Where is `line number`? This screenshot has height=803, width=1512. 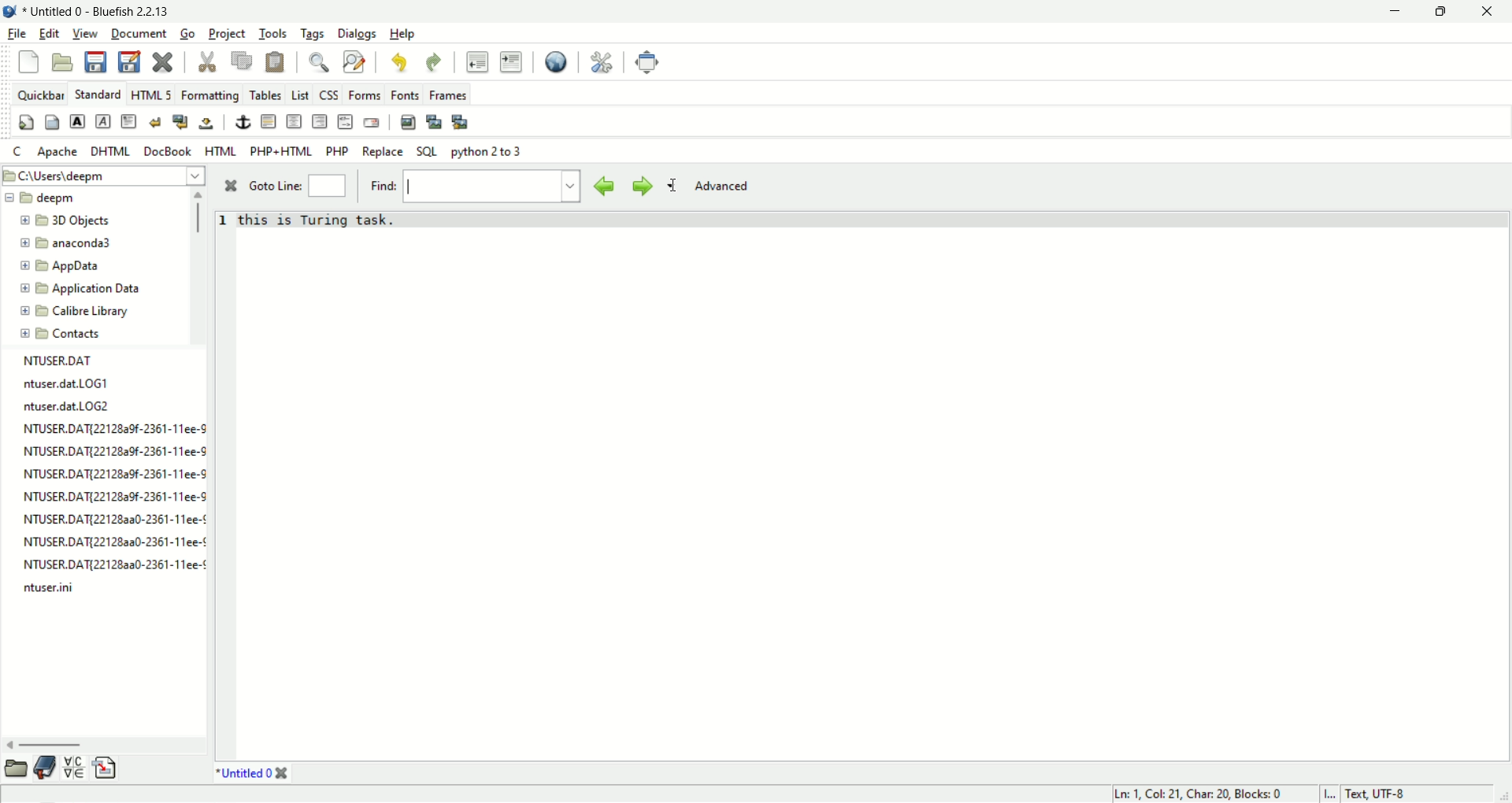
line number is located at coordinates (225, 225).